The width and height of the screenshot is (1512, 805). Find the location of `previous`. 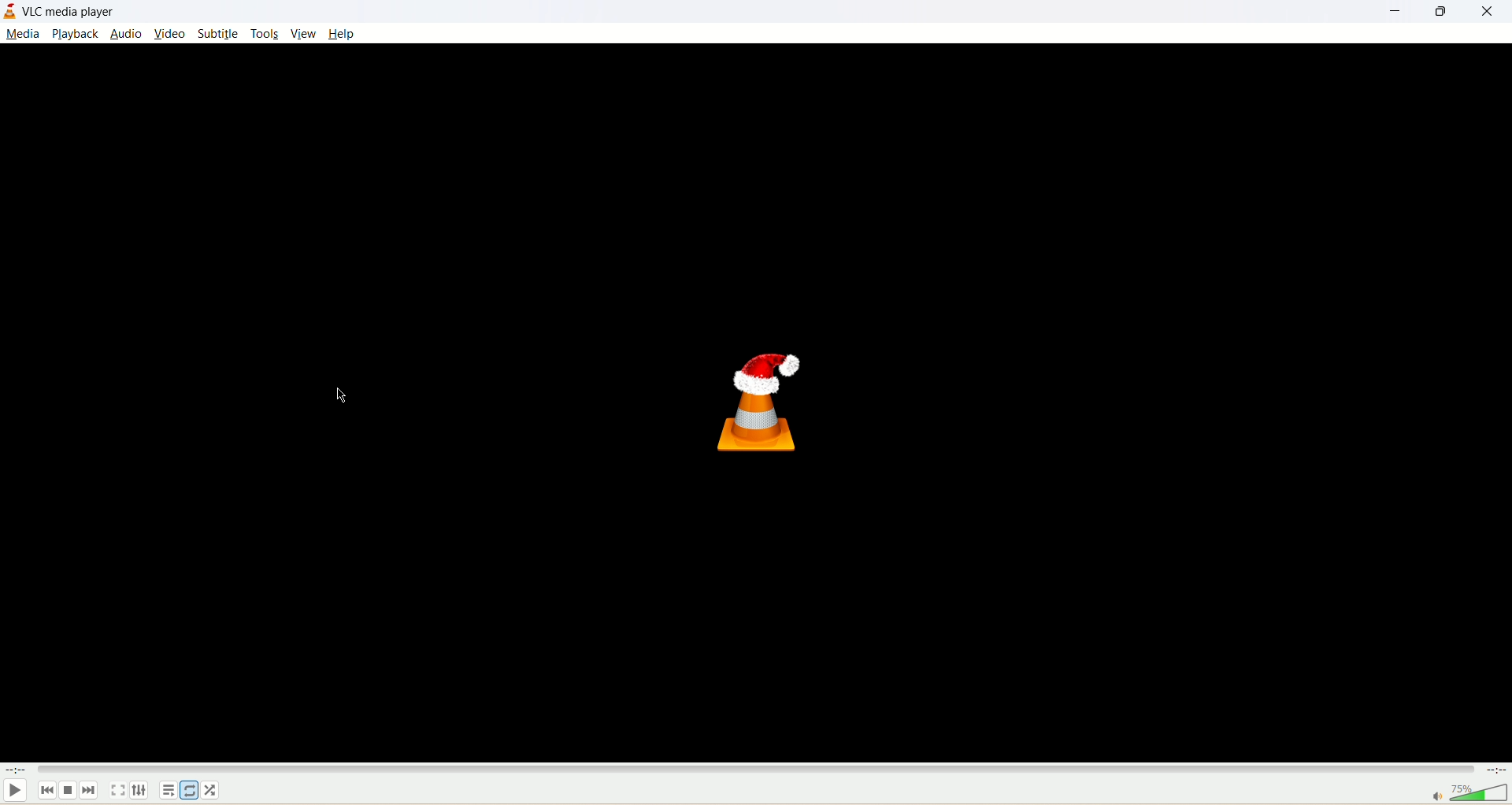

previous is located at coordinates (45, 792).